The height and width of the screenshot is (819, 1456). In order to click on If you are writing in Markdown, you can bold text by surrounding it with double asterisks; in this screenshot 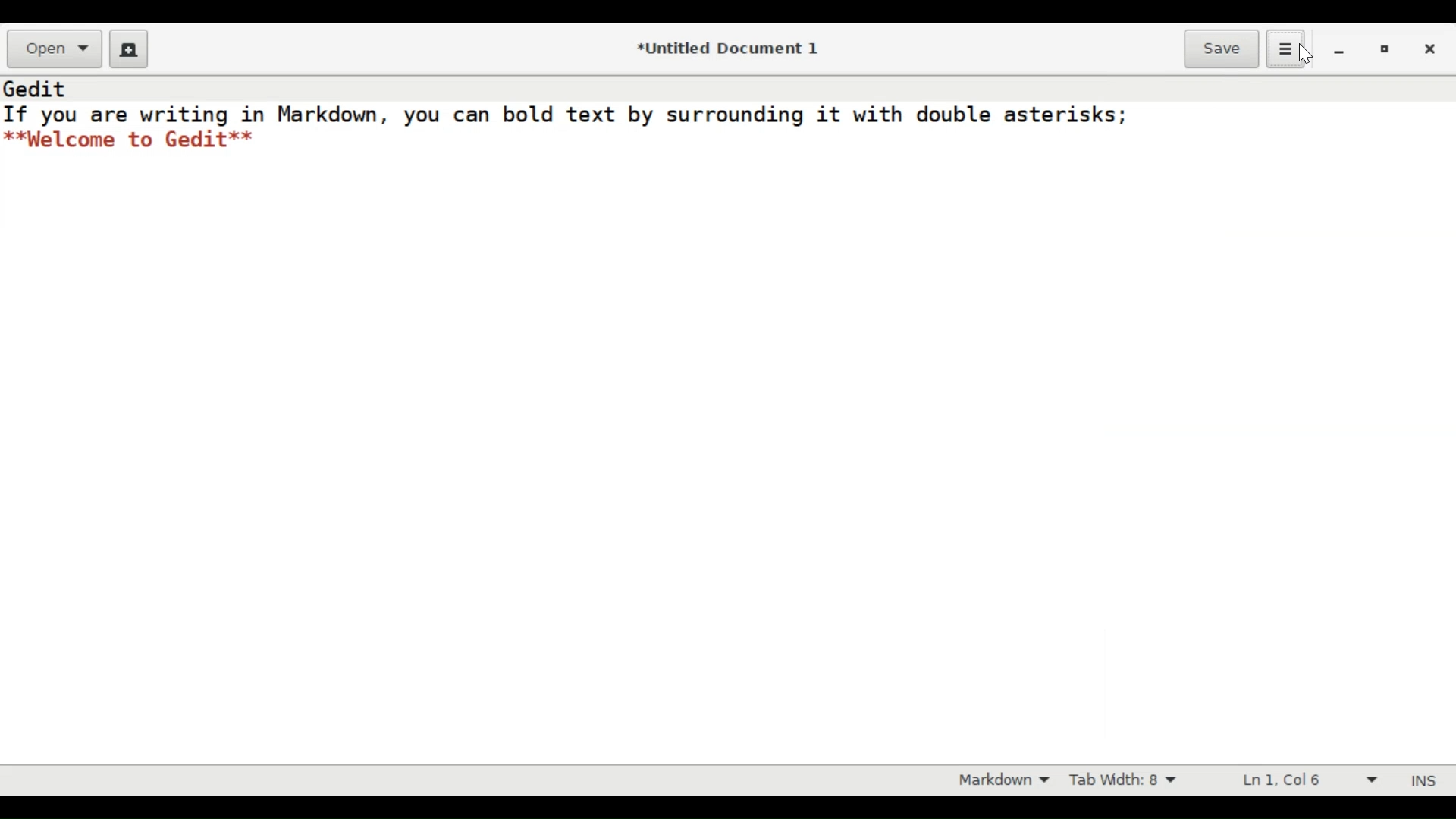, I will do `click(566, 113)`.